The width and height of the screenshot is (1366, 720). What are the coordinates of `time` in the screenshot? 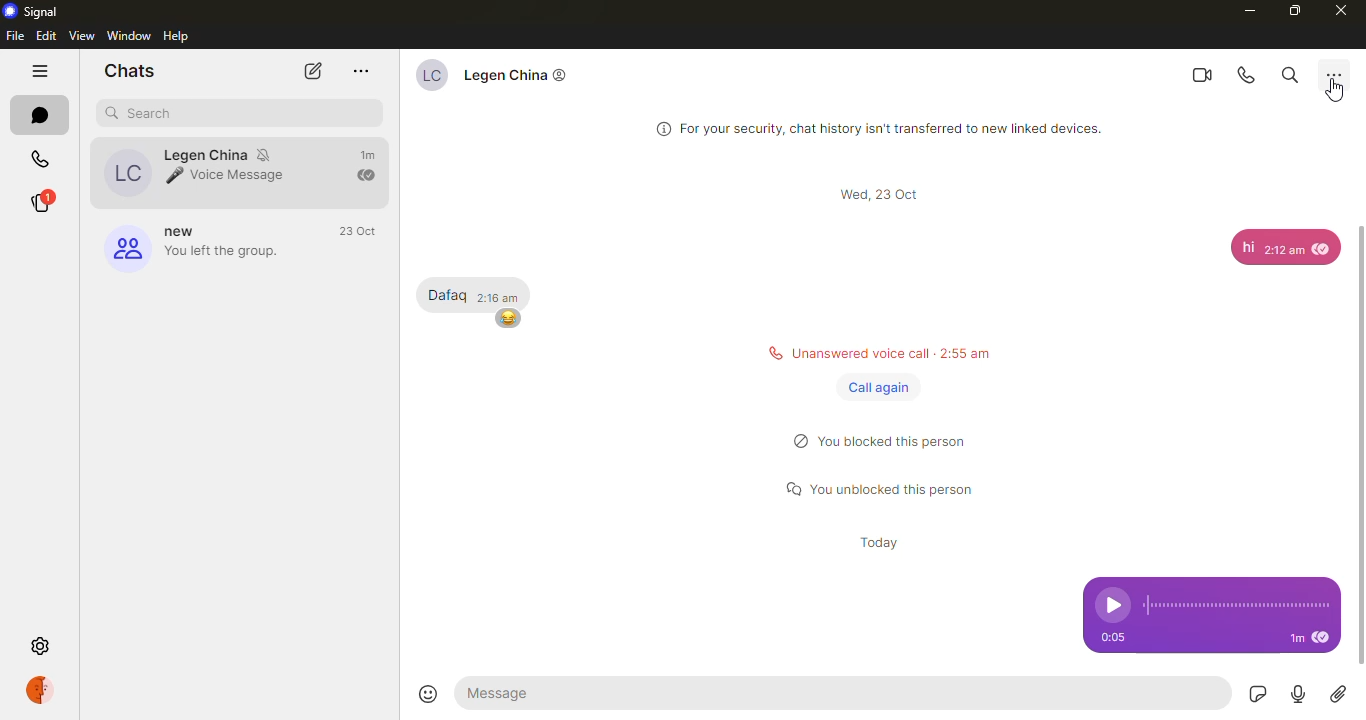 It's located at (886, 195).